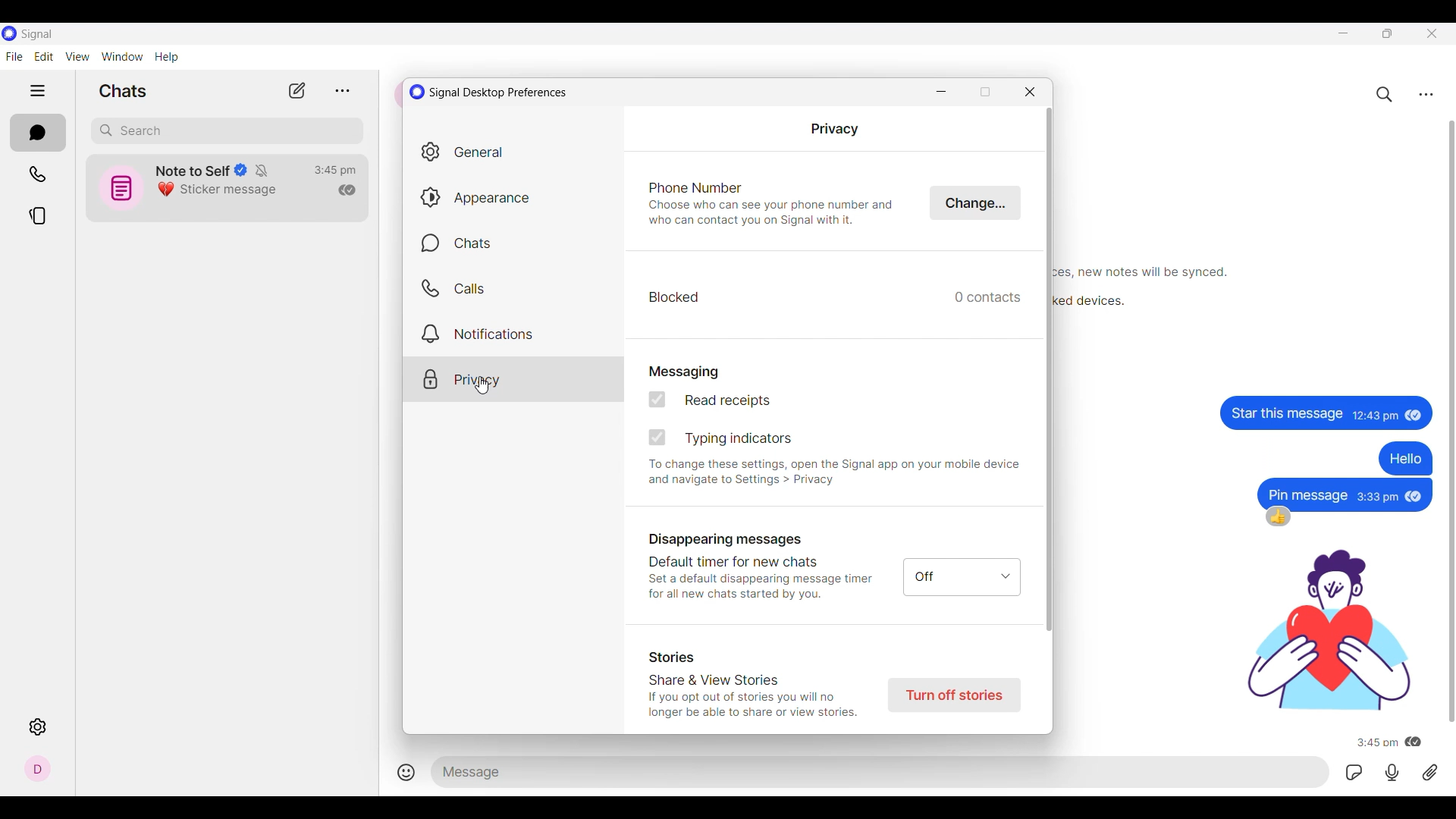  Describe the element at coordinates (406, 772) in the screenshot. I see `Add smiley` at that location.